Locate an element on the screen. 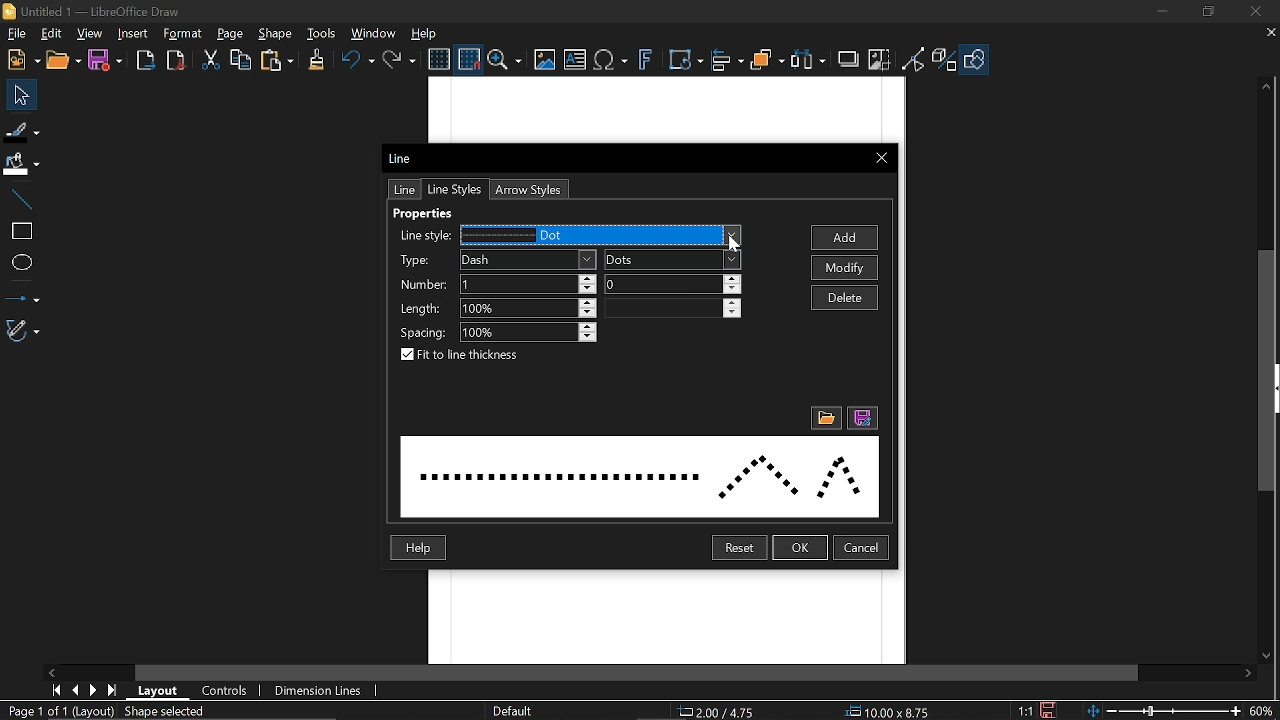  Shadow is located at coordinates (848, 59).